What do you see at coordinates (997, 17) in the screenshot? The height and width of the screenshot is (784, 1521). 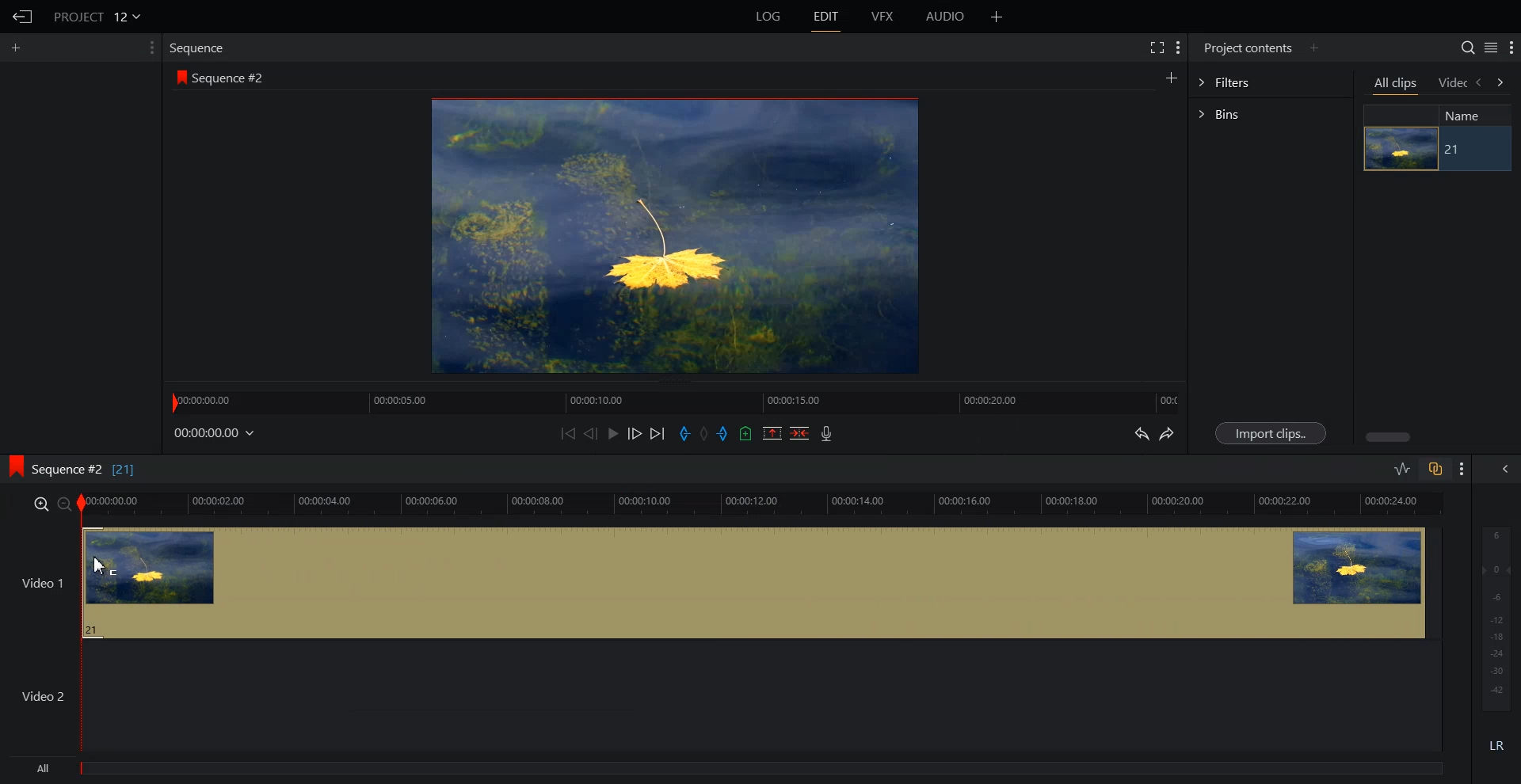 I see `Add Panel` at bounding box center [997, 17].